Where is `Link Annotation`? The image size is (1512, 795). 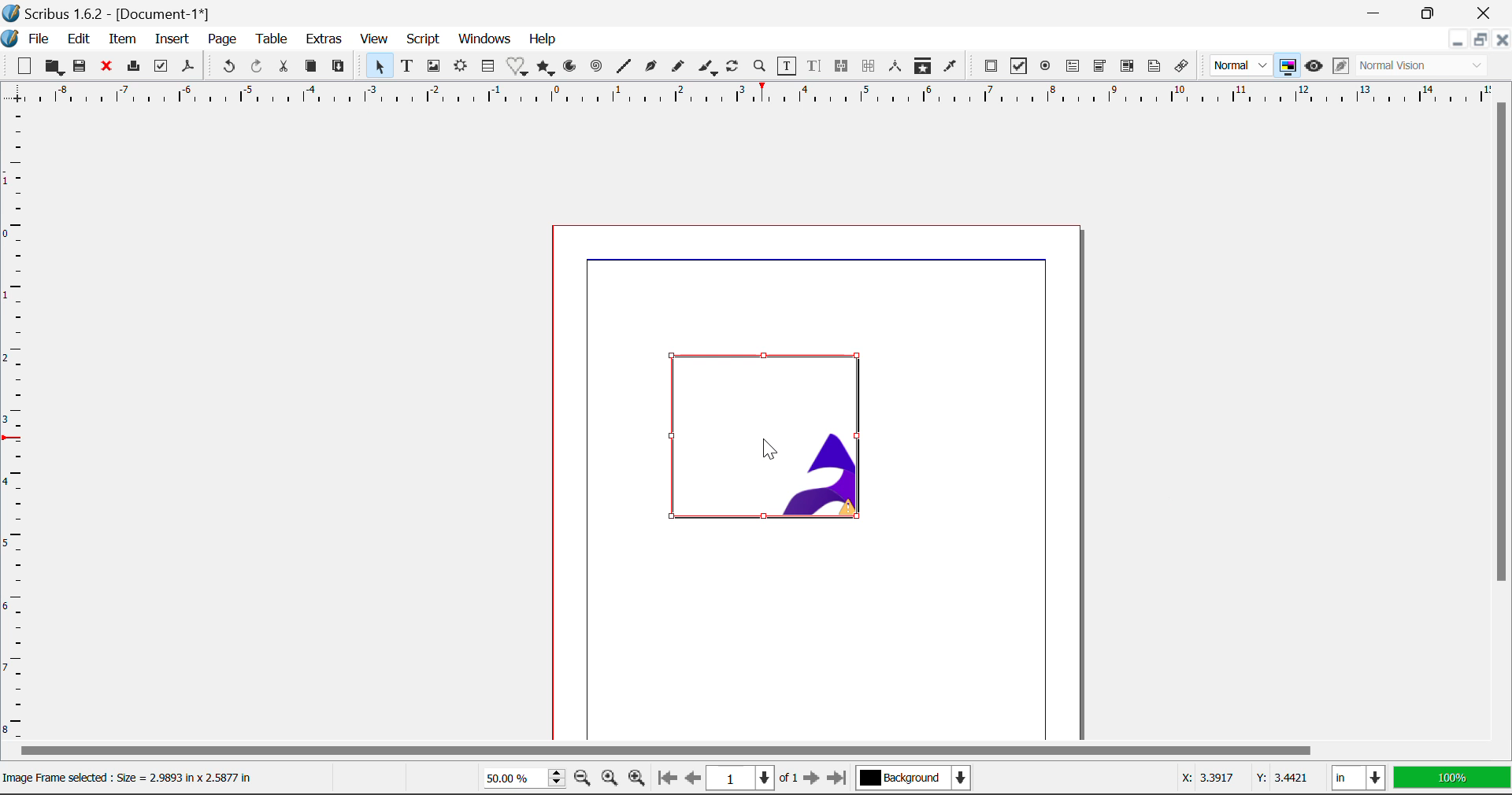
Link Annotation is located at coordinates (1183, 68).